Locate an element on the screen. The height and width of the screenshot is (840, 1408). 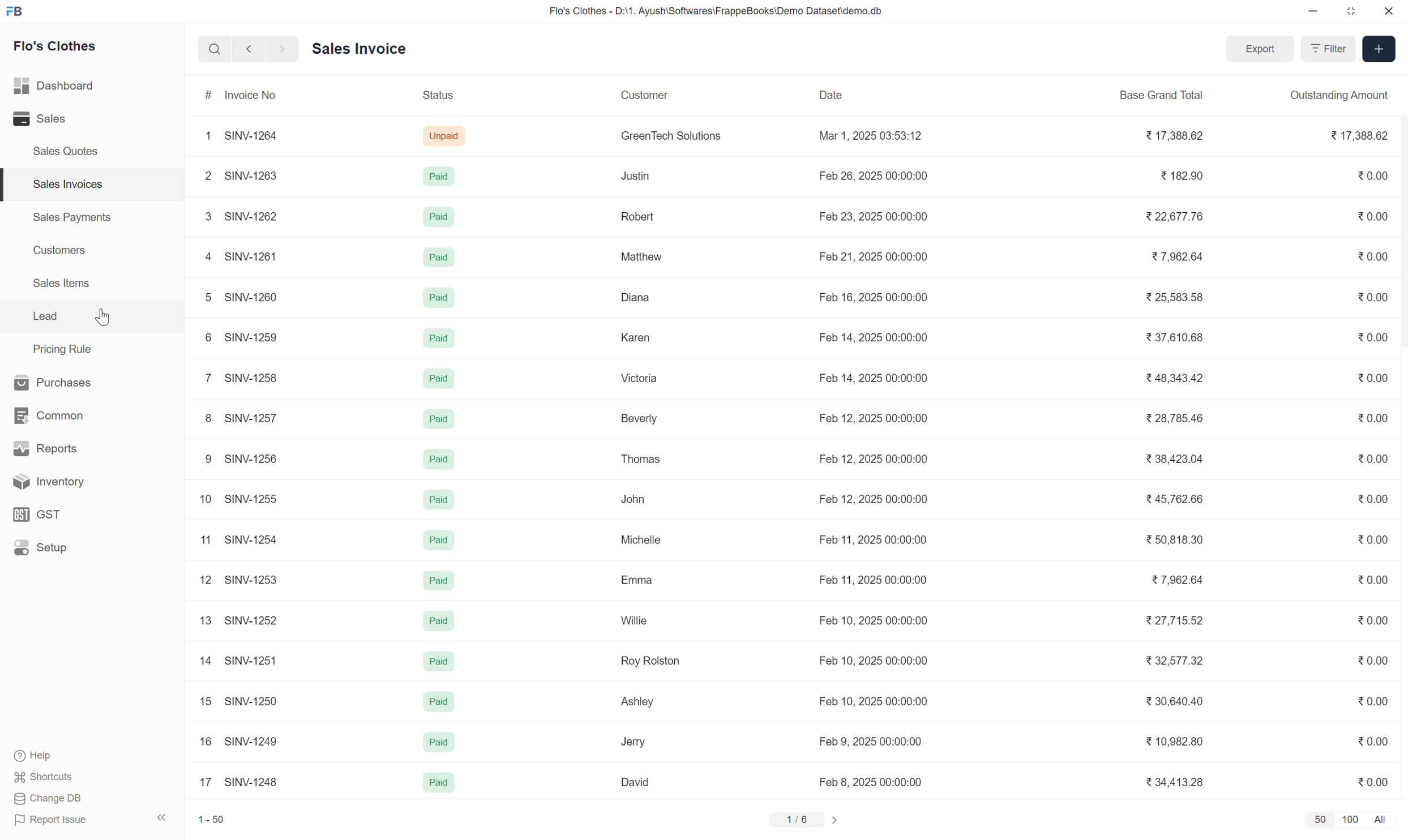
%30,640.4( is located at coordinates (876, 701).